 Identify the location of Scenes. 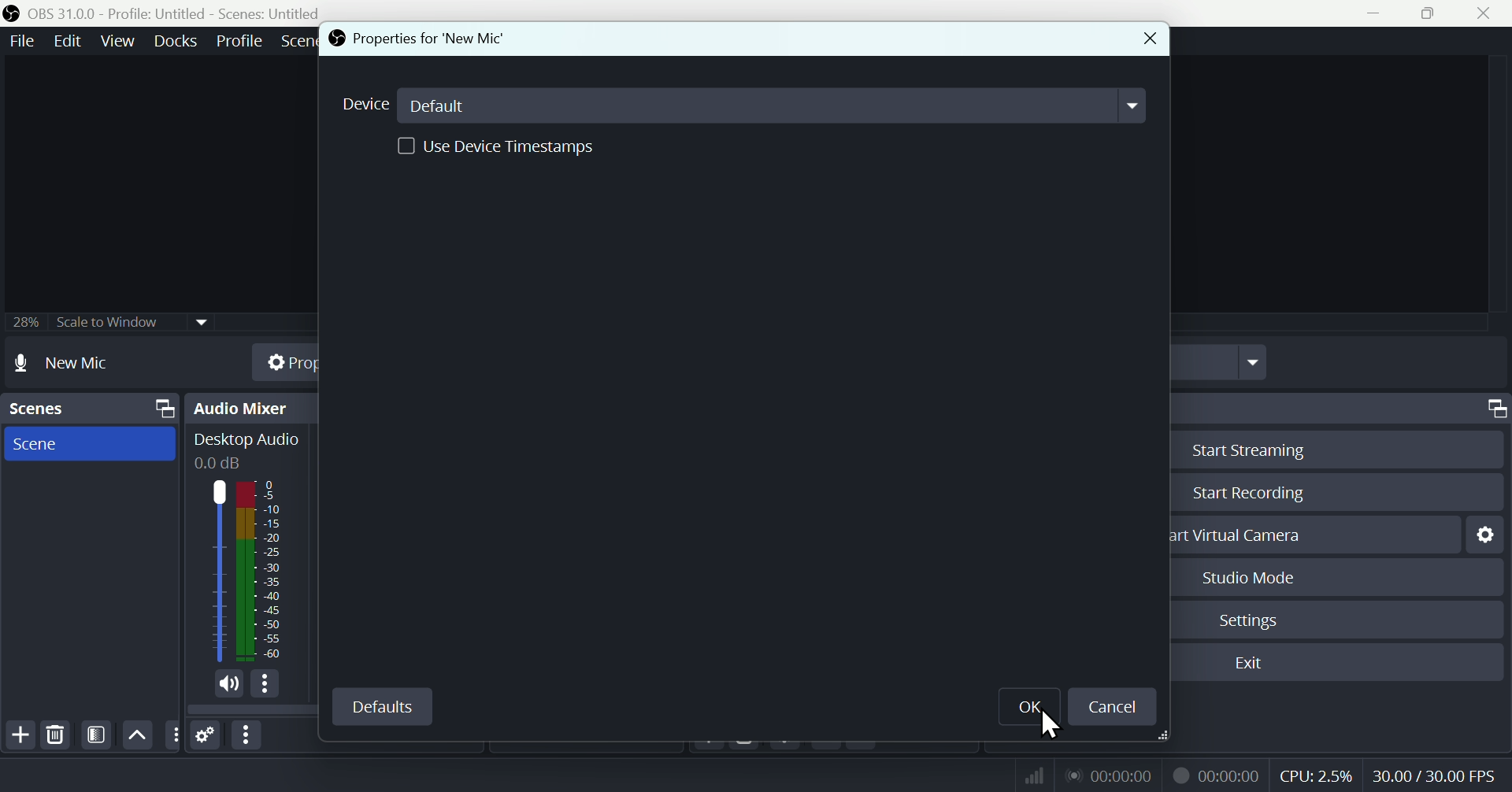
(89, 409).